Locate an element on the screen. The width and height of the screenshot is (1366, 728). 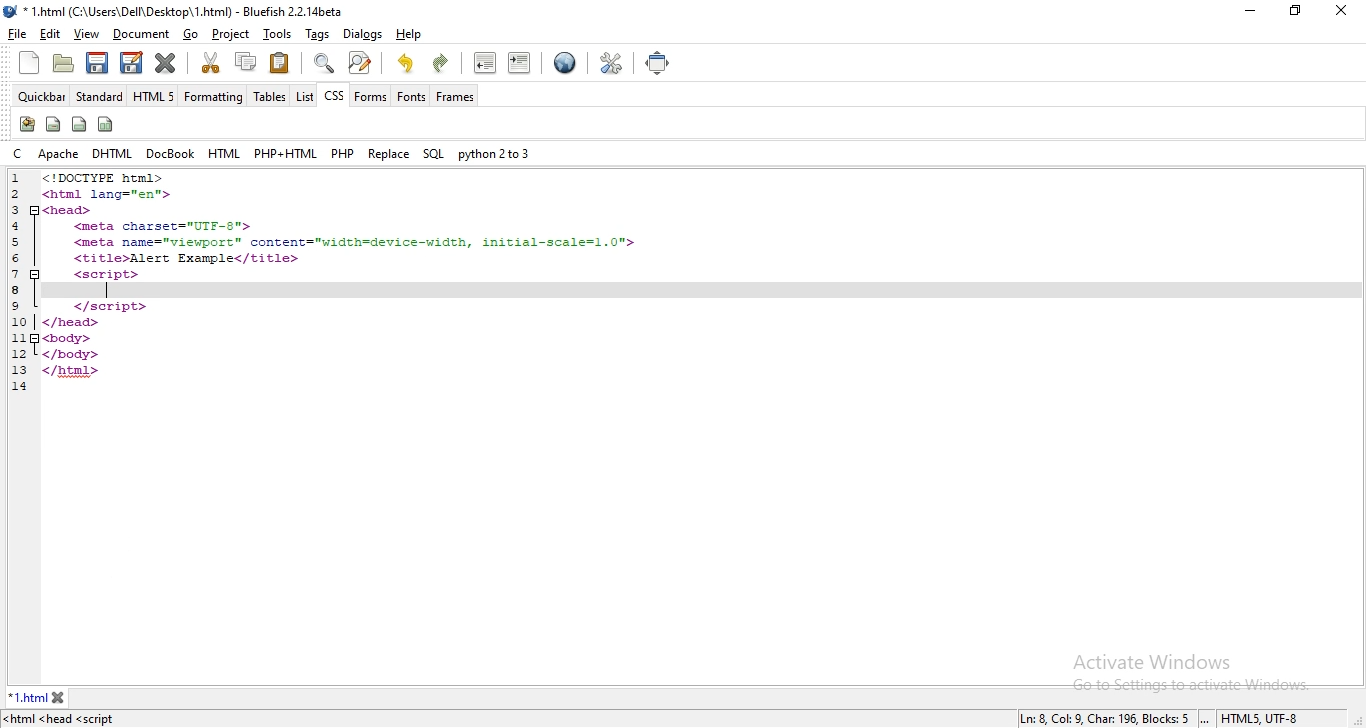
5 is located at coordinates (17, 241).